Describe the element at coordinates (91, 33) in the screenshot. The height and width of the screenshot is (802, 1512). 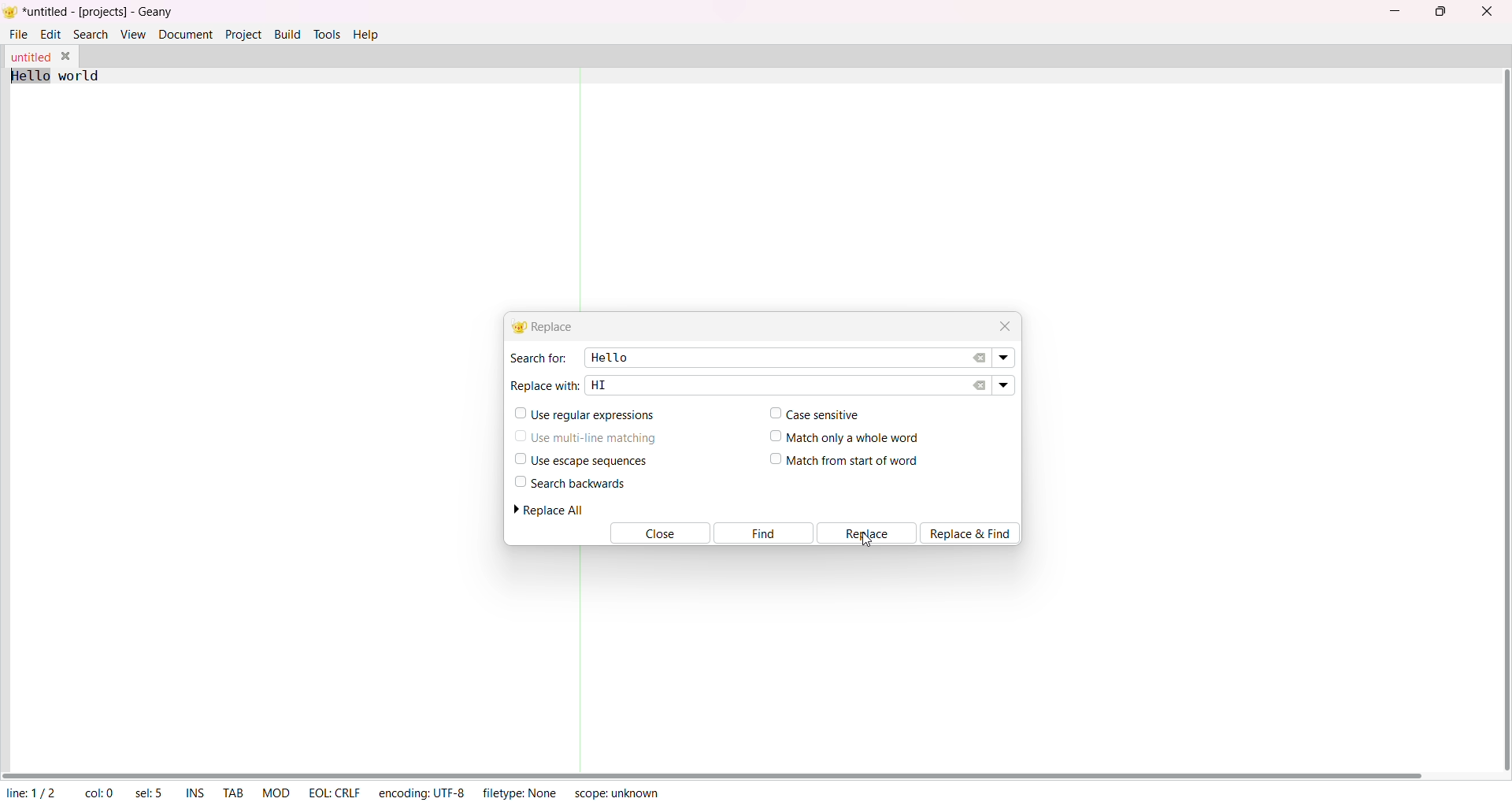
I see `search` at that location.